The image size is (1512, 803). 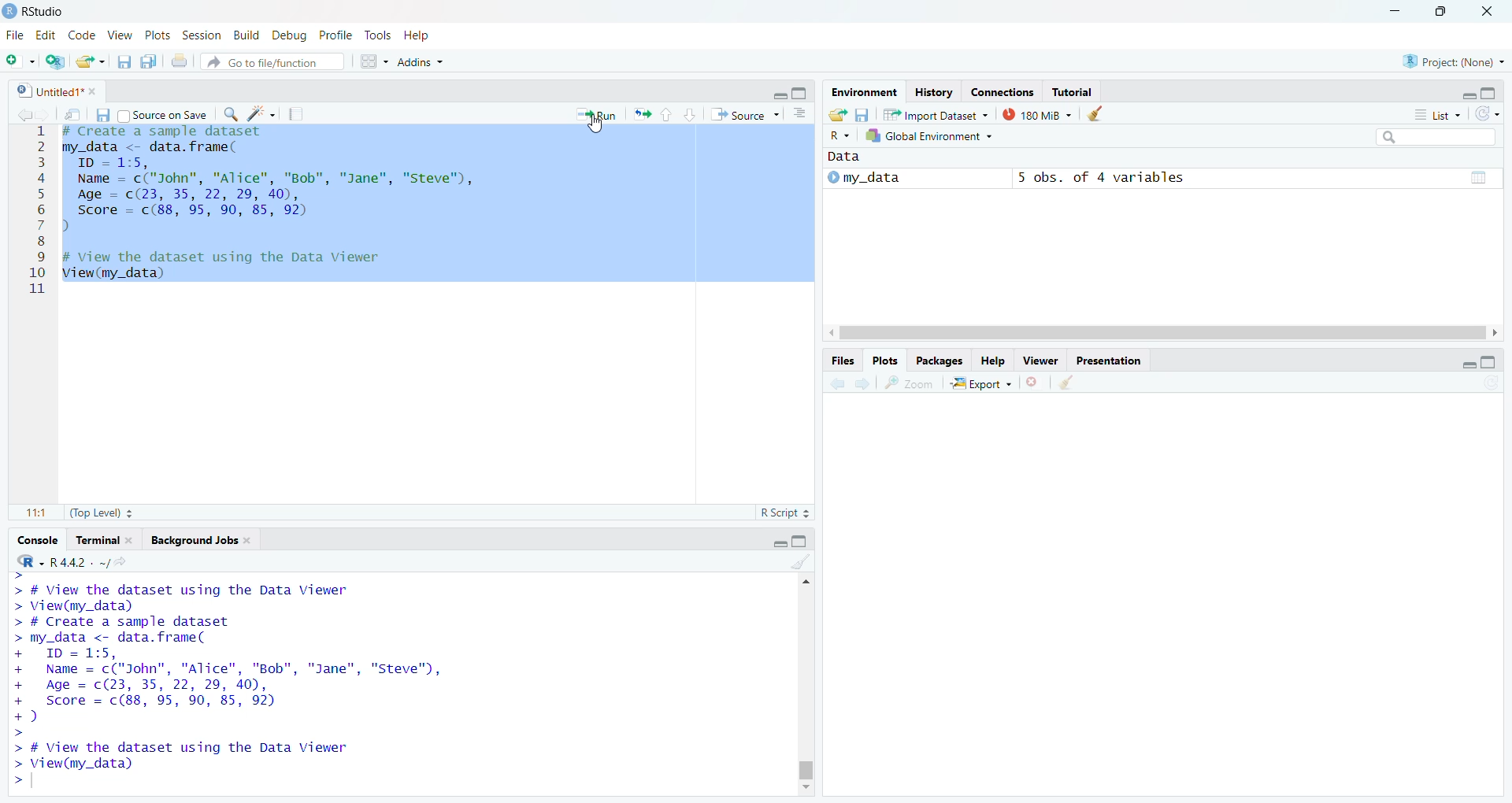 What do you see at coordinates (1440, 116) in the screenshot?
I see `List` at bounding box center [1440, 116].